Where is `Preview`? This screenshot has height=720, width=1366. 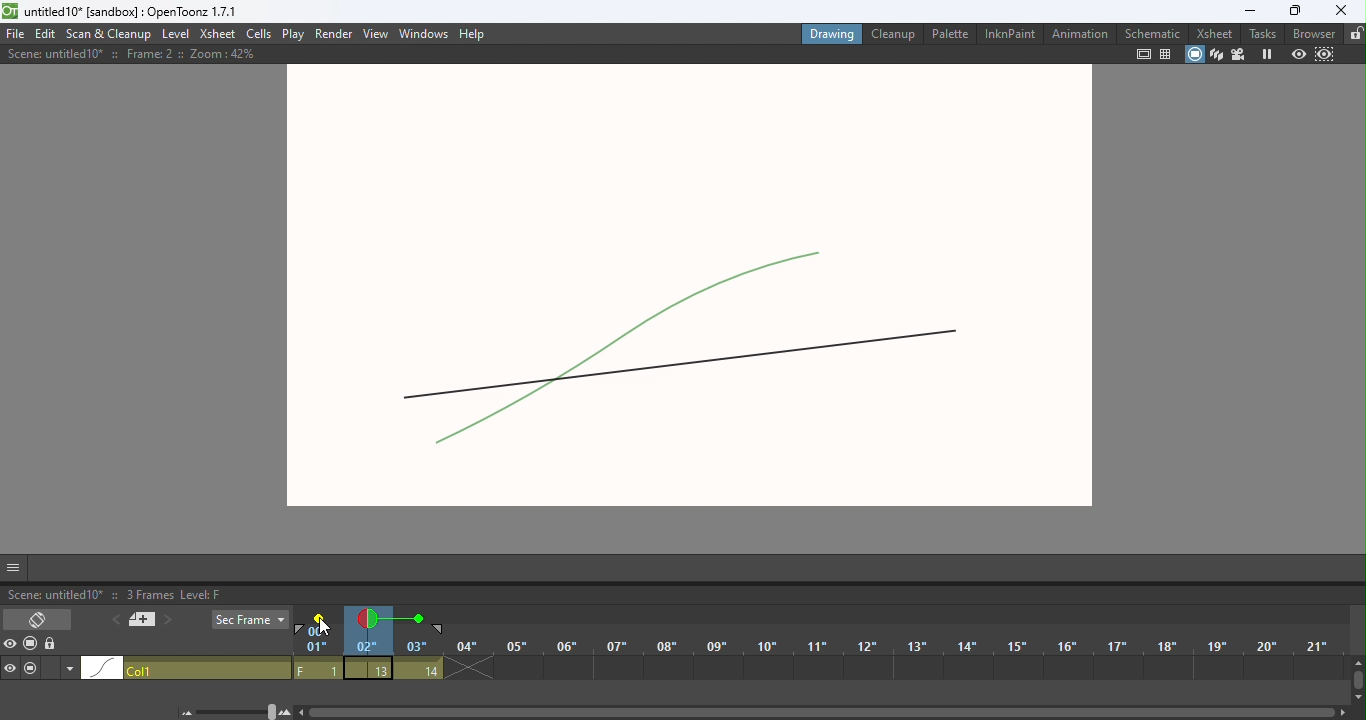
Preview is located at coordinates (1298, 53).